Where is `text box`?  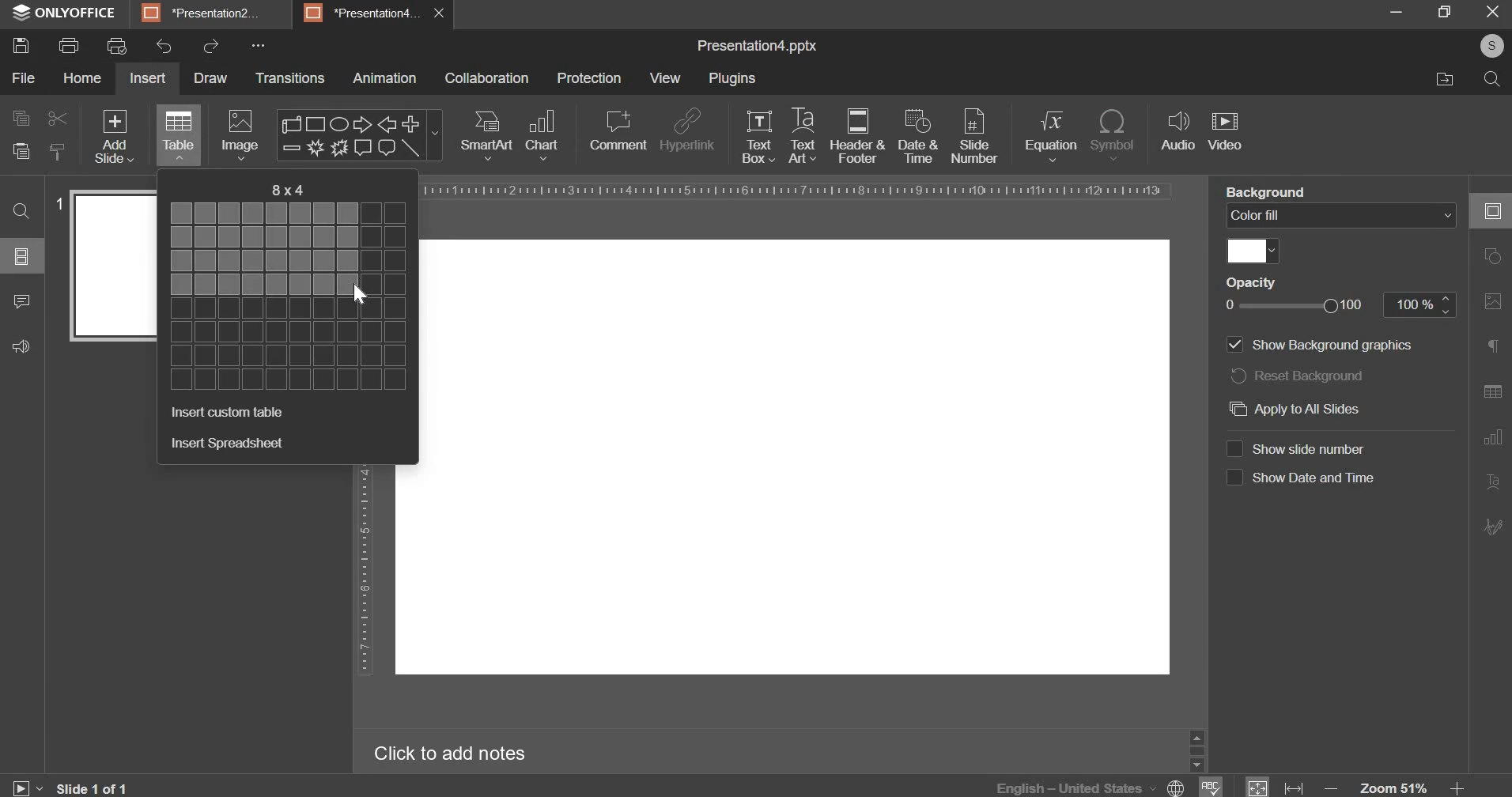 text box is located at coordinates (759, 138).